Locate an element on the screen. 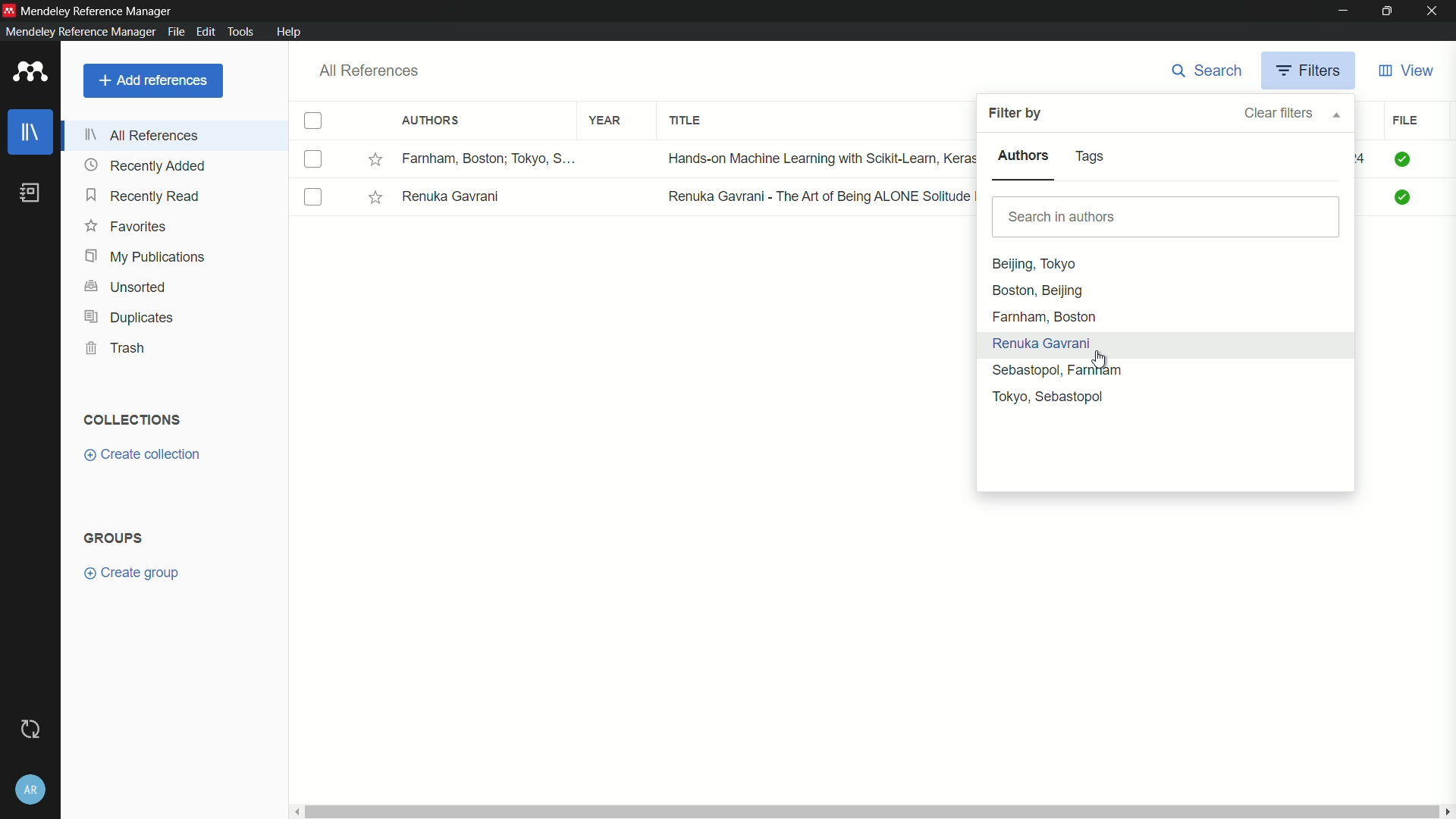 This screenshot has width=1456, height=819. close app is located at coordinates (1435, 11).